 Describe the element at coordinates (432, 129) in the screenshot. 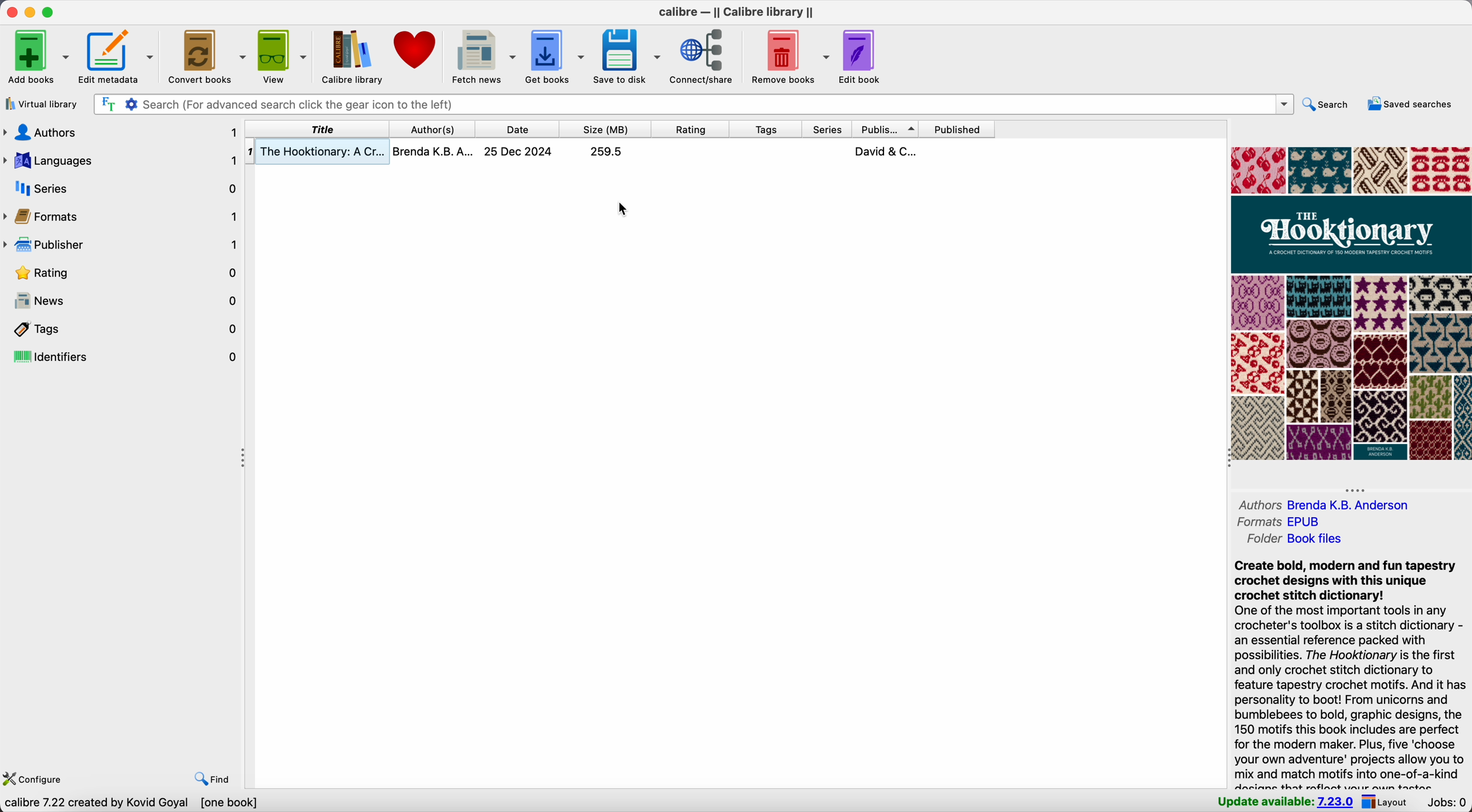

I see `Authors` at that location.